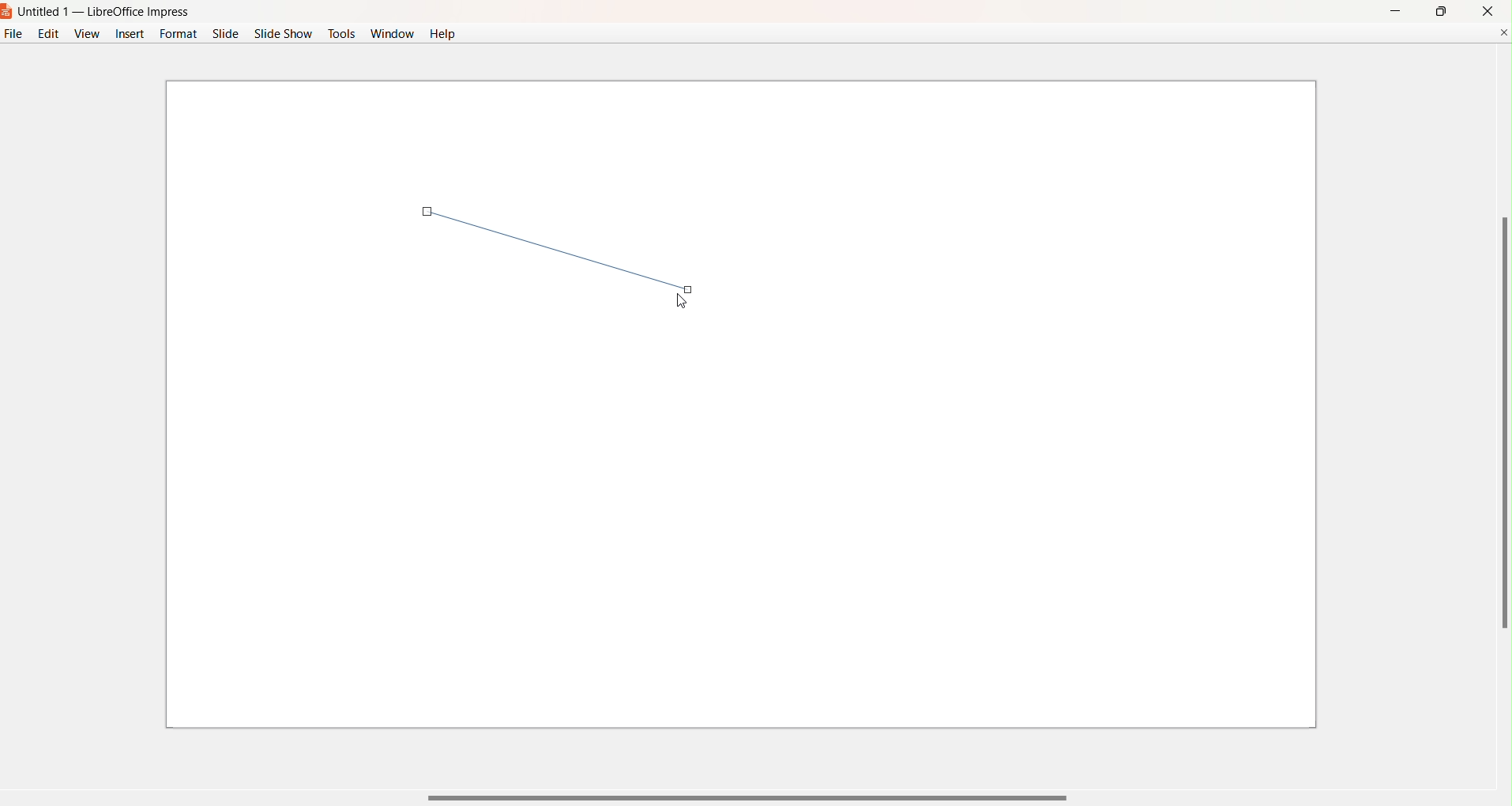  Describe the element at coordinates (106, 13) in the screenshot. I see `Untitled 1 - LibreOffice Impress` at that location.